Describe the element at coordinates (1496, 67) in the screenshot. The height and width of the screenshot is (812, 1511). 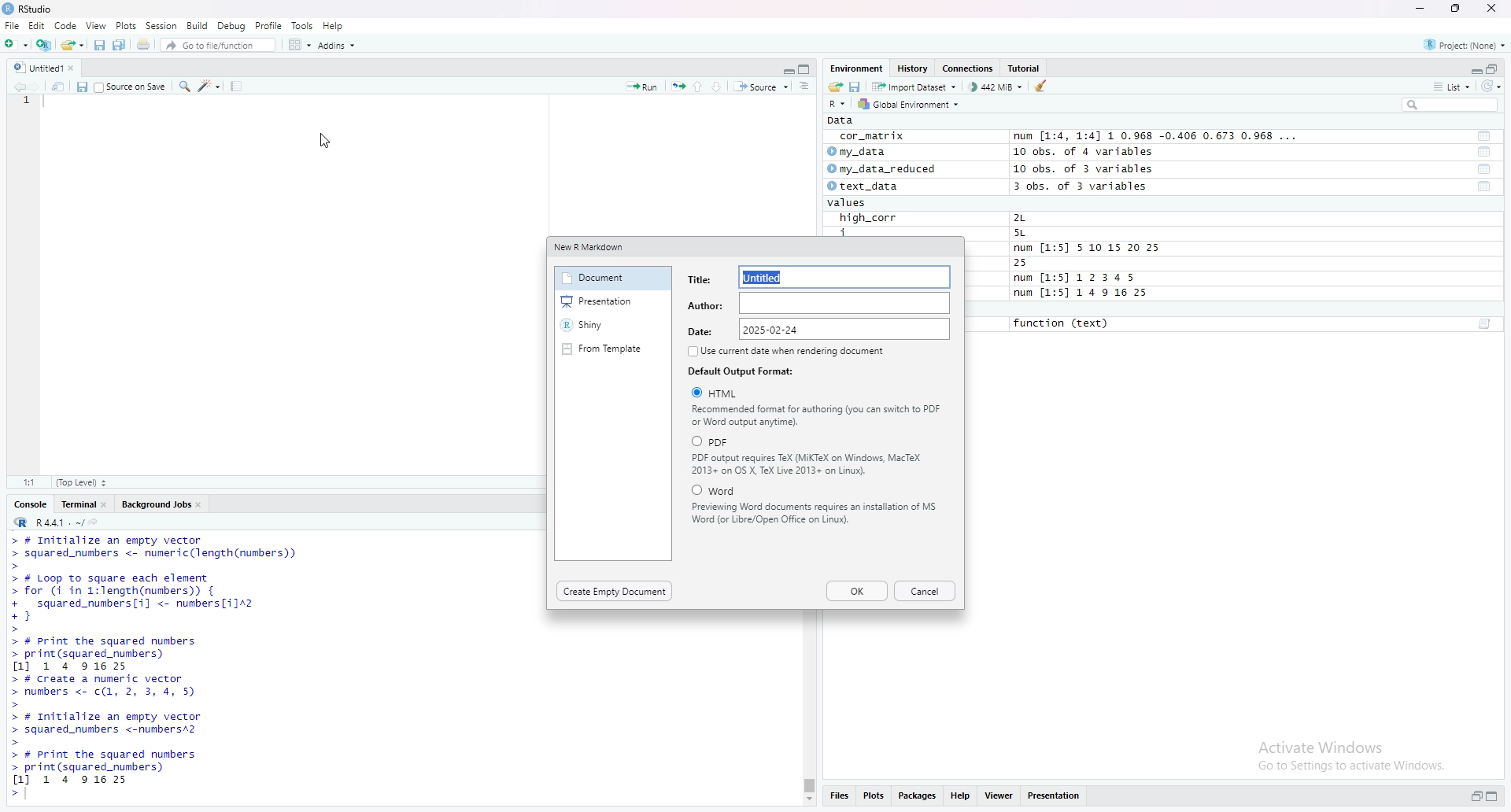
I see `maximzie` at that location.